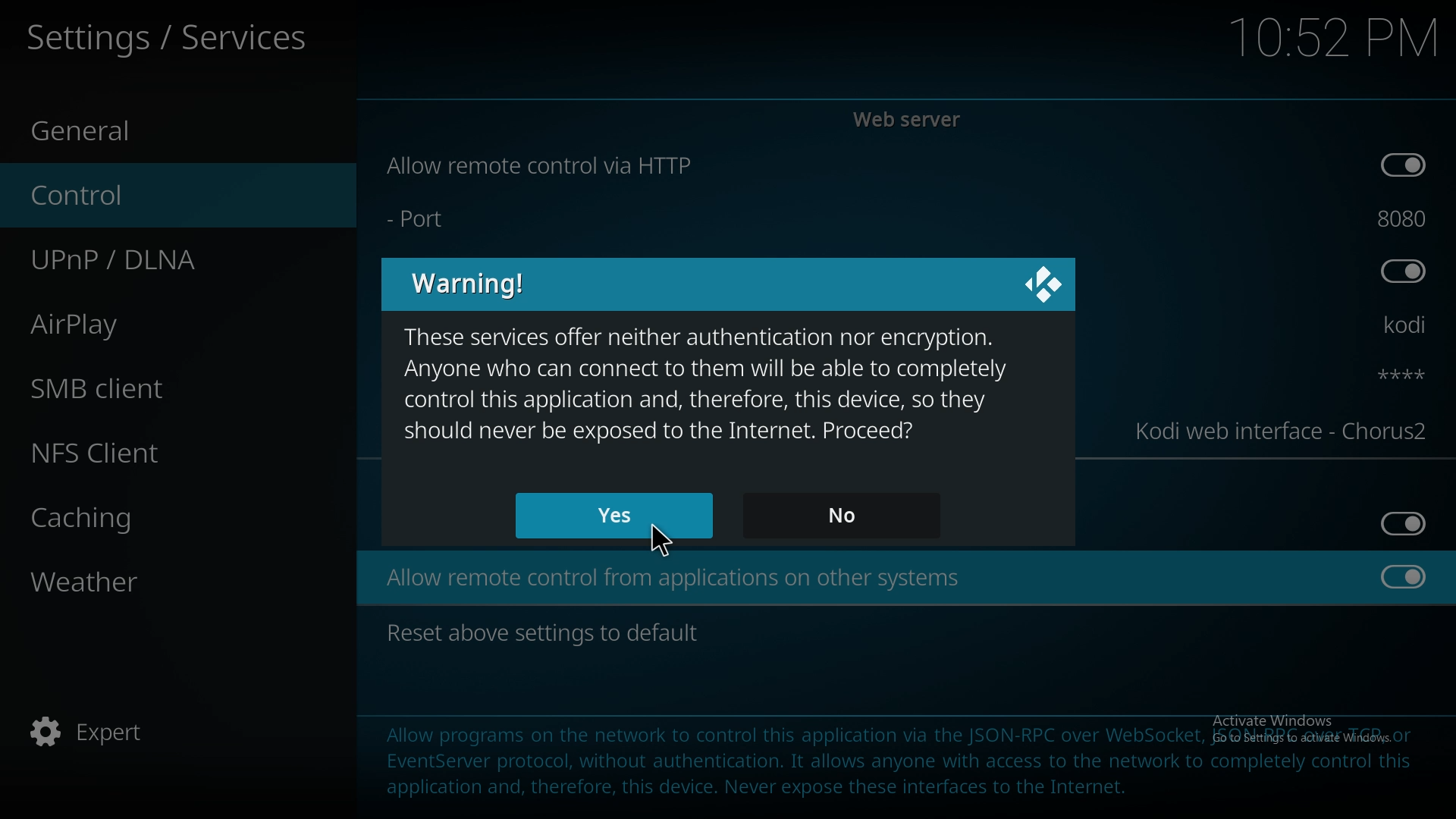  What do you see at coordinates (152, 388) in the screenshot?
I see `smb client` at bounding box center [152, 388].